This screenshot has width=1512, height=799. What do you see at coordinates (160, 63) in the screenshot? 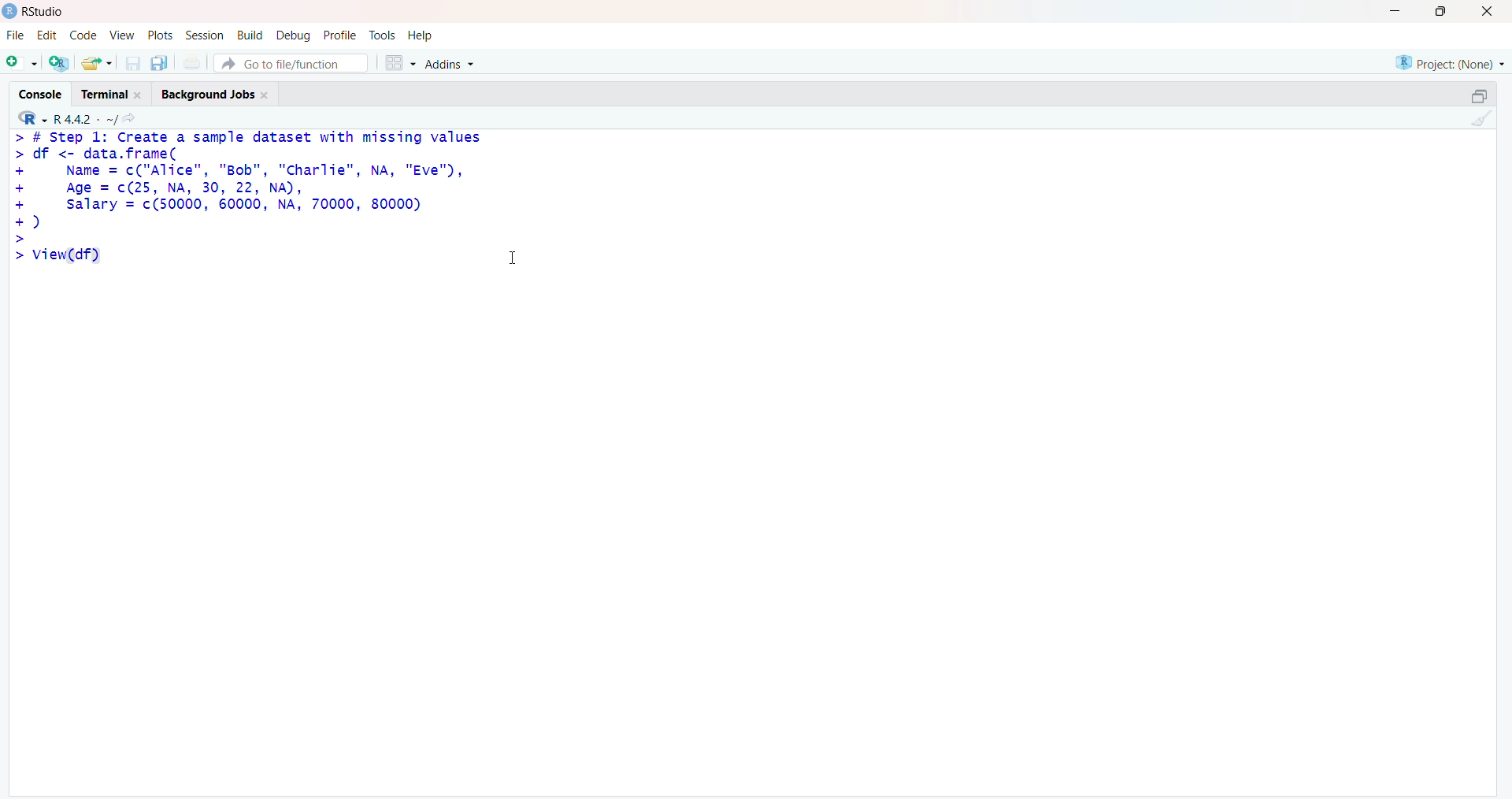
I see `Save all open documents (Ctrl + Alt + S)` at bounding box center [160, 63].